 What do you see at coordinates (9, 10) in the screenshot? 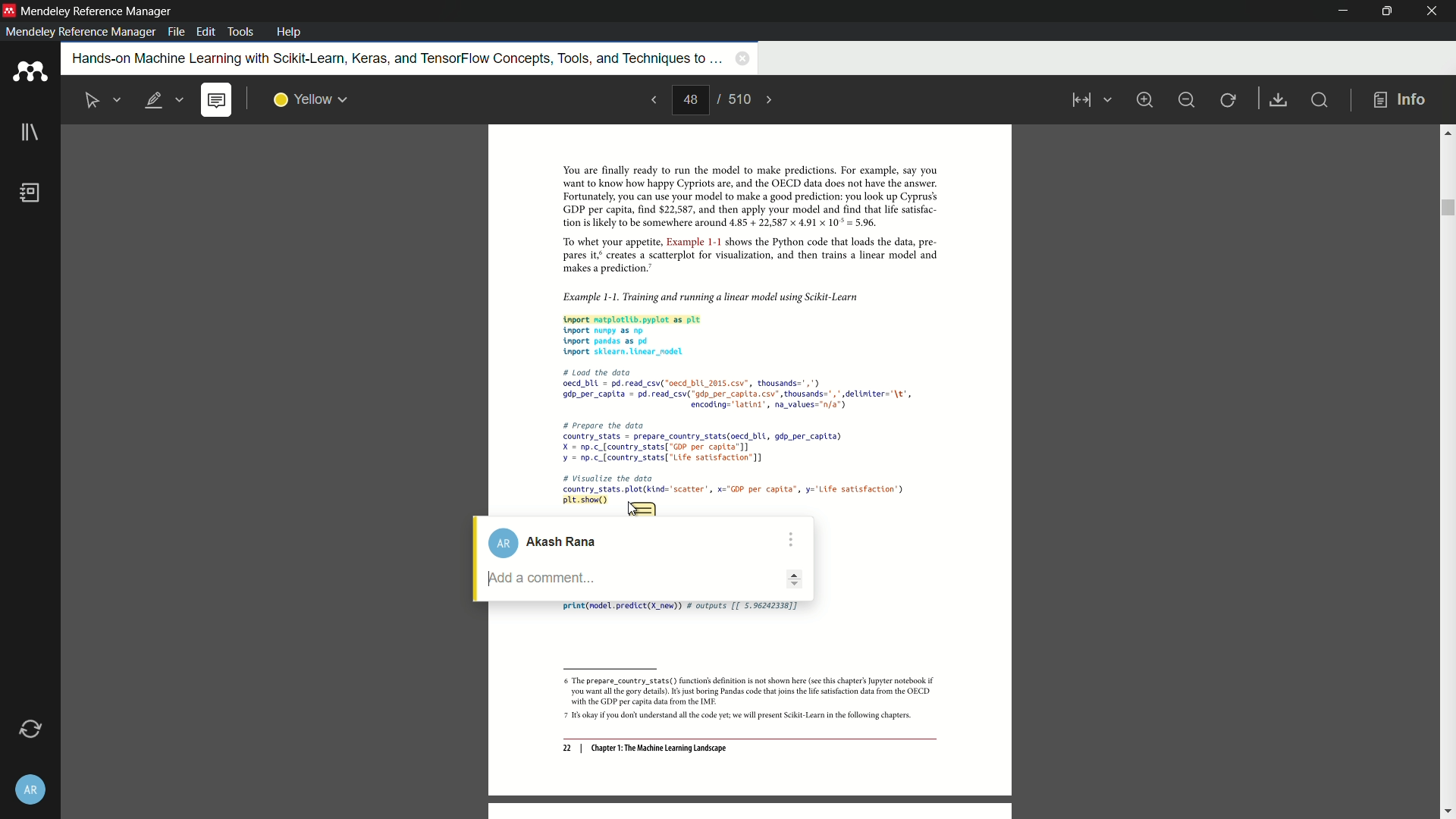
I see `app icon` at bounding box center [9, 10].